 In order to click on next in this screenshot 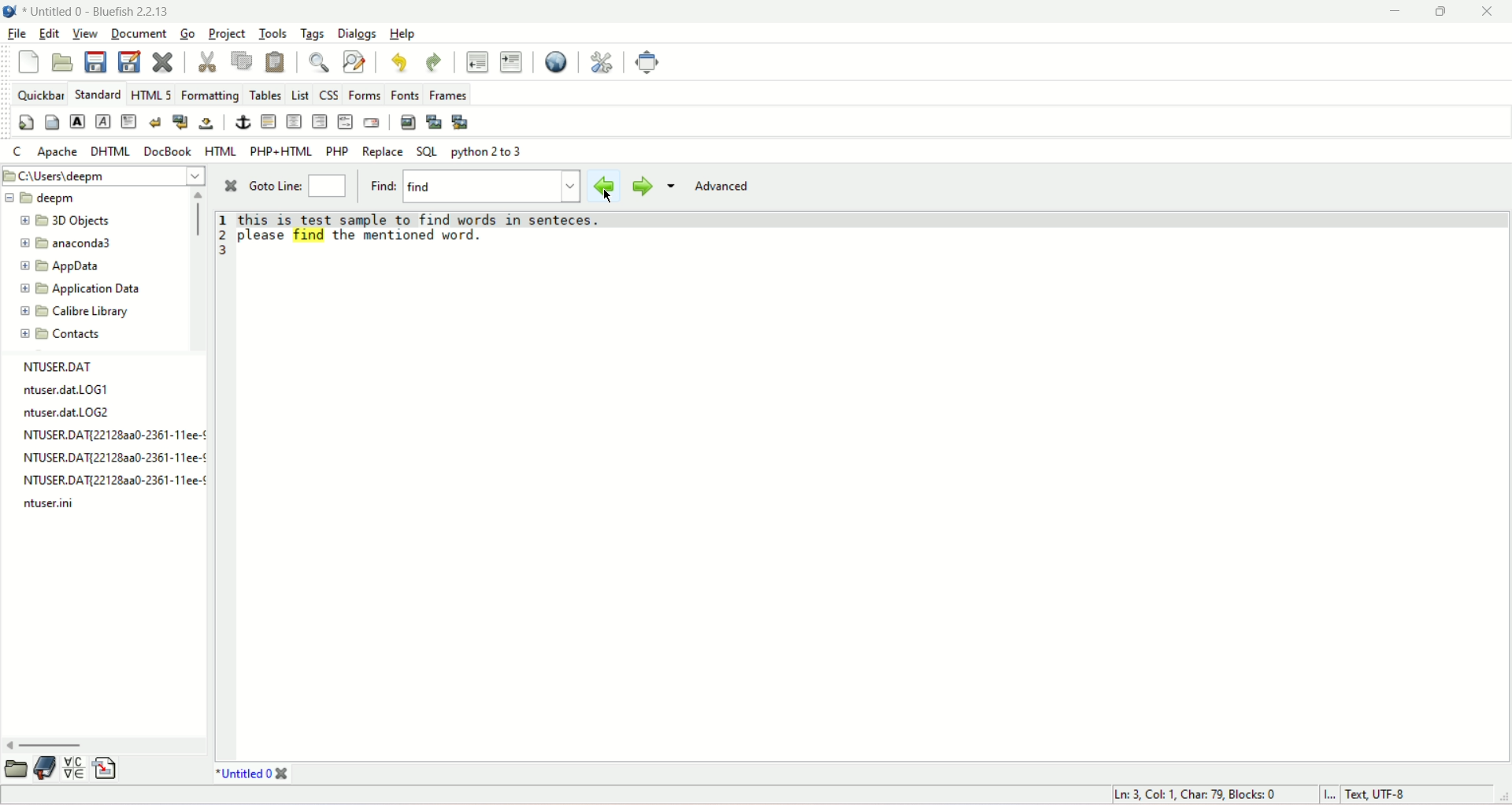, I will do `click(643, 187)`.